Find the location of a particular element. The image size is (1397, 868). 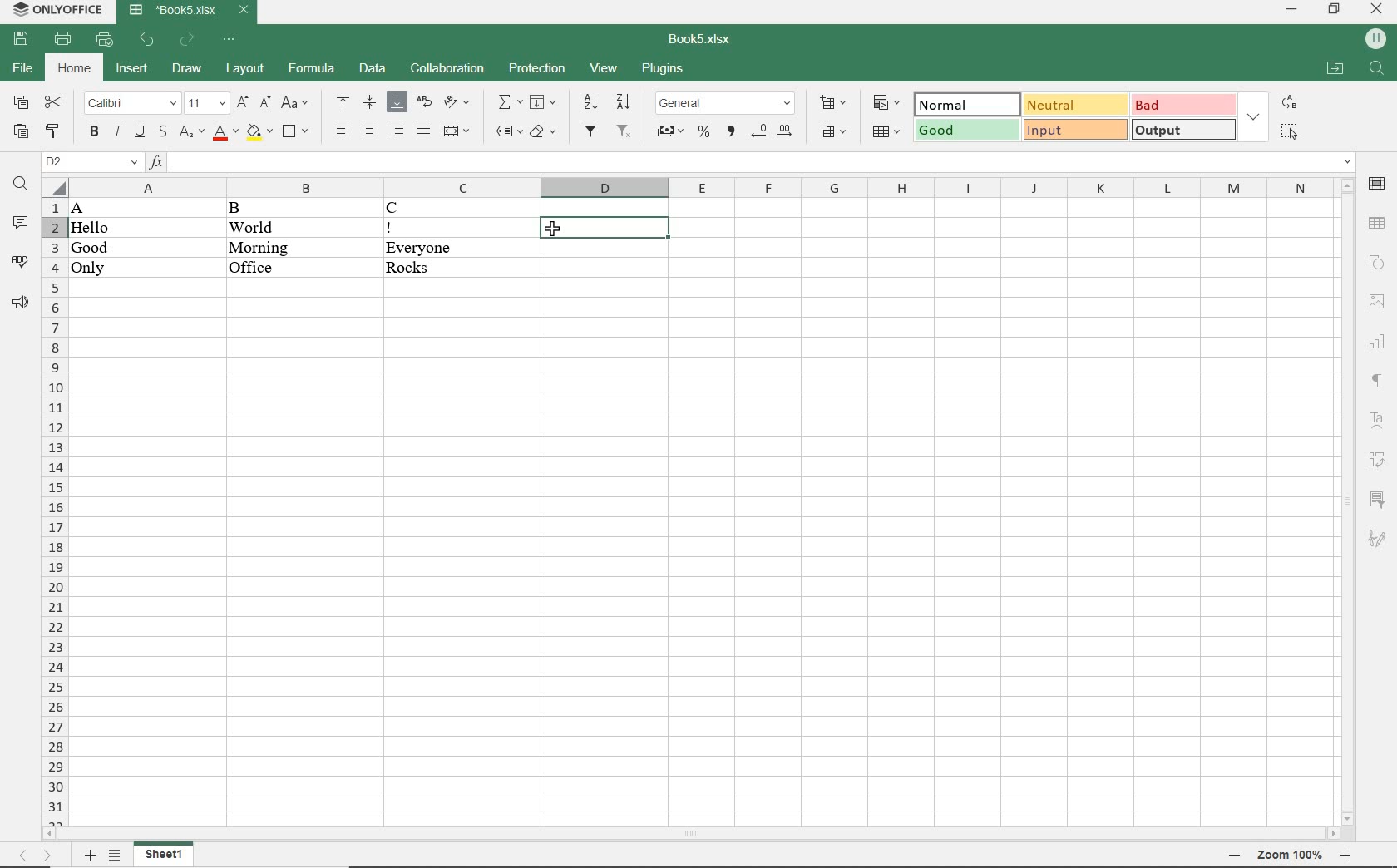

align left is located at coordinates (340, 130).